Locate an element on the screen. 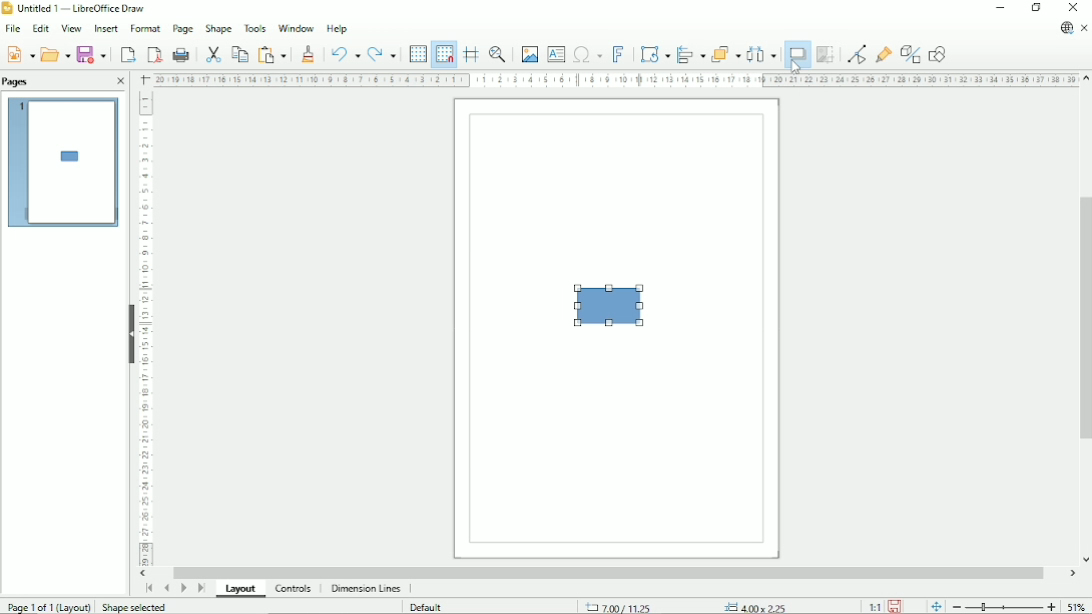 The height and width of the screenshot is (614, 1092). Redo is located at coordinates (383, 54).